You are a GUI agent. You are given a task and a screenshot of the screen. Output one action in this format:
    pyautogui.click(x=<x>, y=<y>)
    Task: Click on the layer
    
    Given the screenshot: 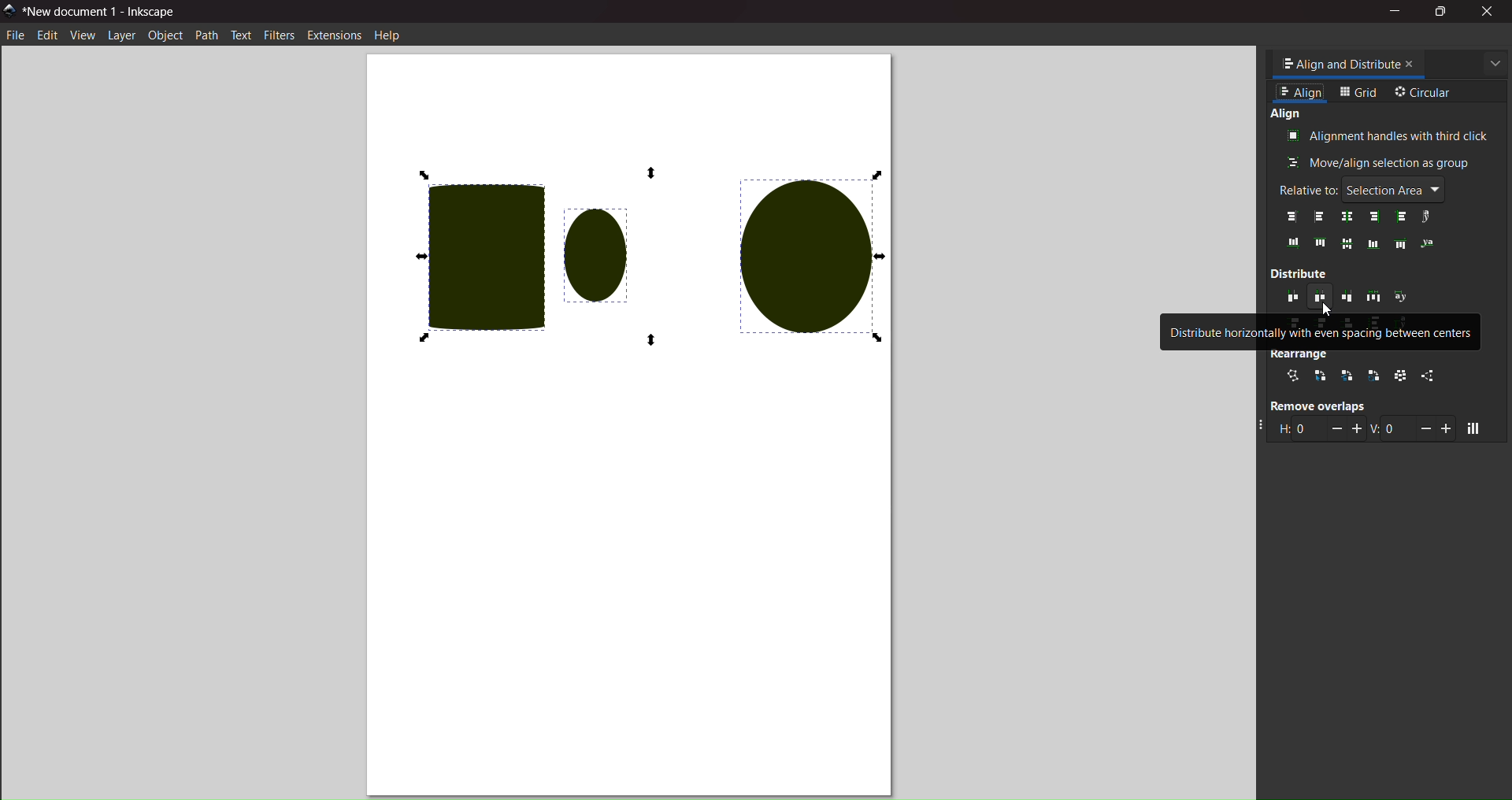 What is the action you would take?
    pyautogui.click(x=120, y=35)
    